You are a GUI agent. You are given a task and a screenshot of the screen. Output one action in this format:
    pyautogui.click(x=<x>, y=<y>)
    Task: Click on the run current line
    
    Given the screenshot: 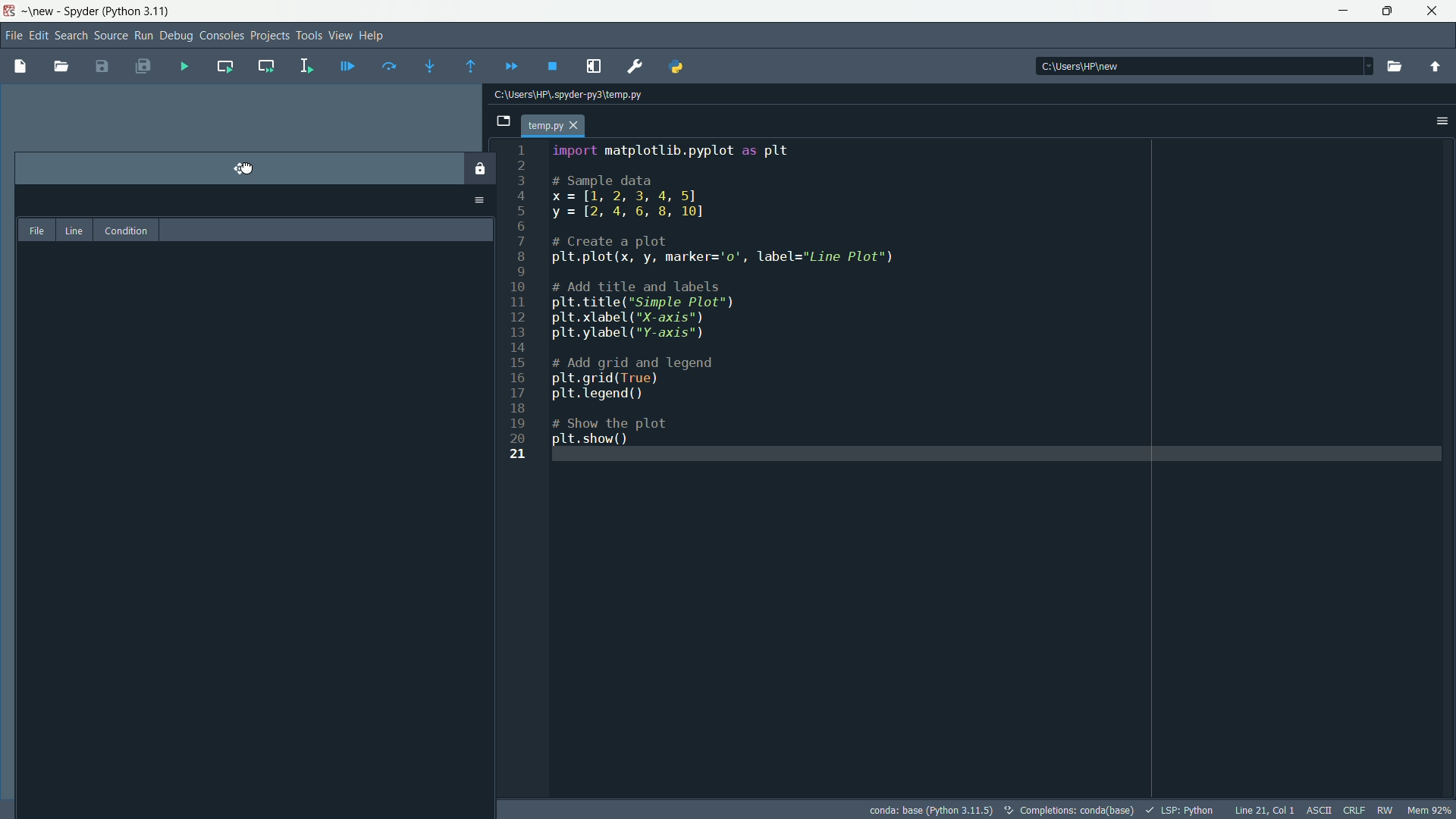 What is the action you would take?
    pyautogui.click(x=386, y=65)
    